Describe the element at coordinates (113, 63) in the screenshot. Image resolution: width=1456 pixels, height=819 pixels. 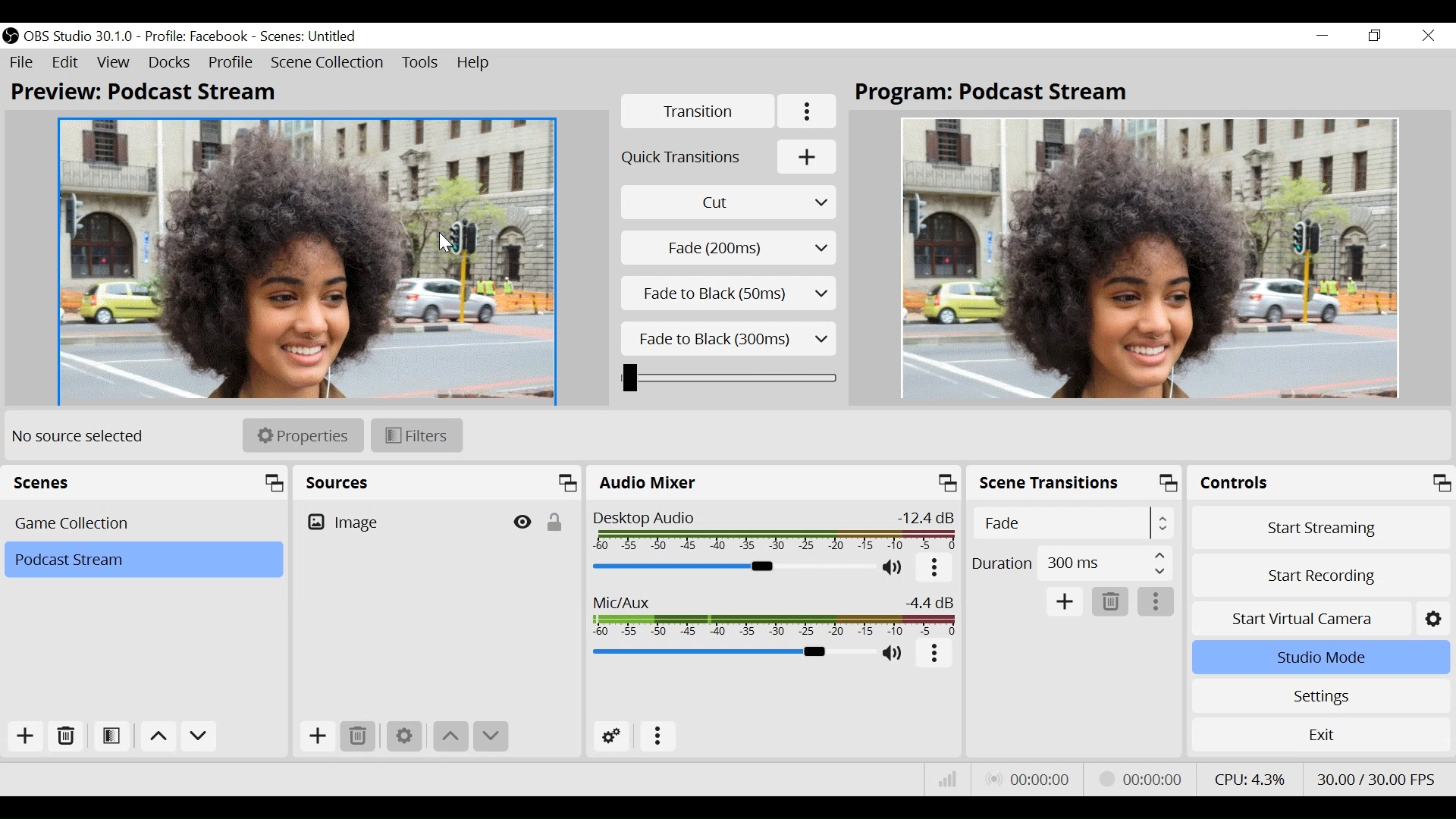
I see `View` at that location.